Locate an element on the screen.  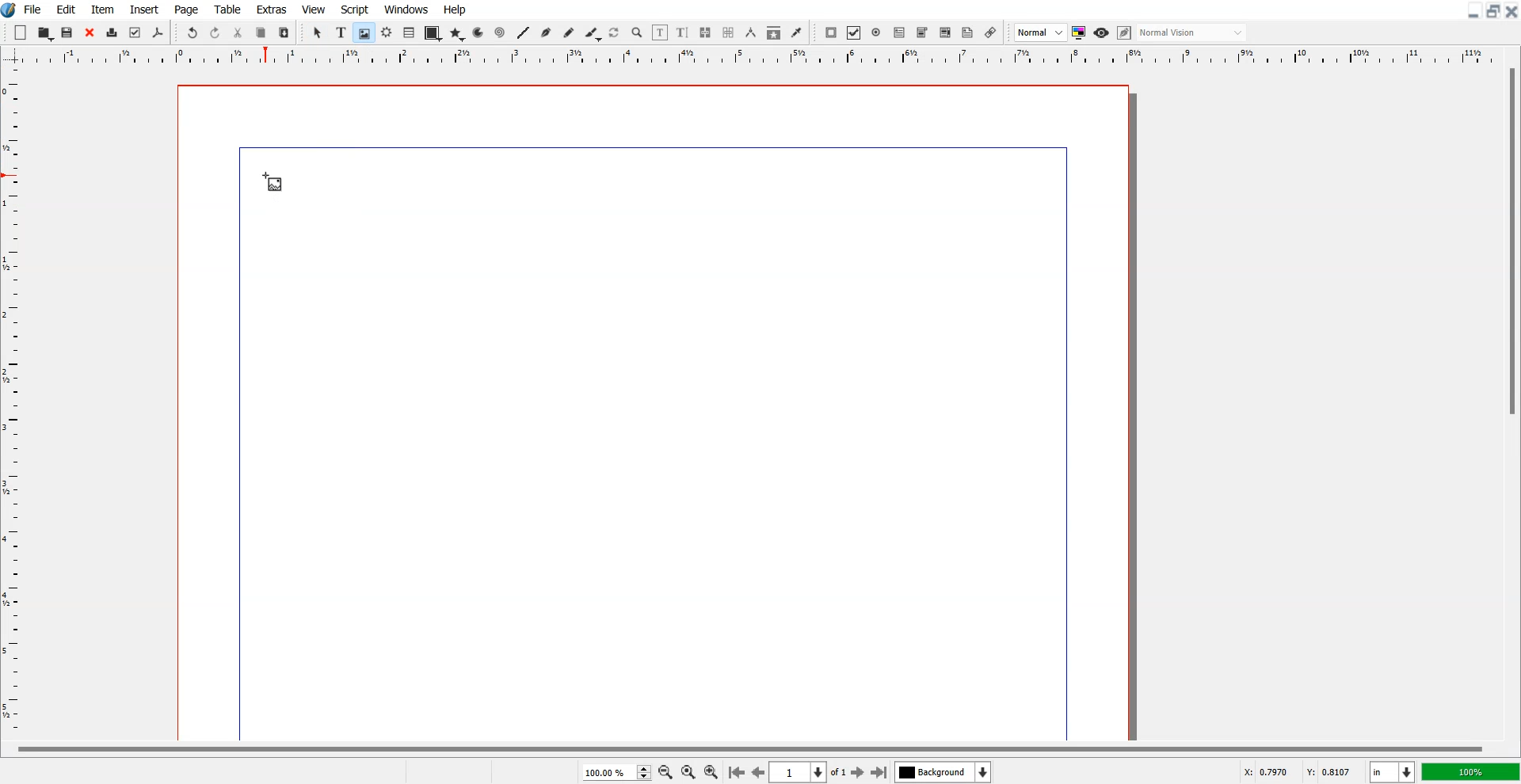
Rotate Item is located at coordinates (615, 33).